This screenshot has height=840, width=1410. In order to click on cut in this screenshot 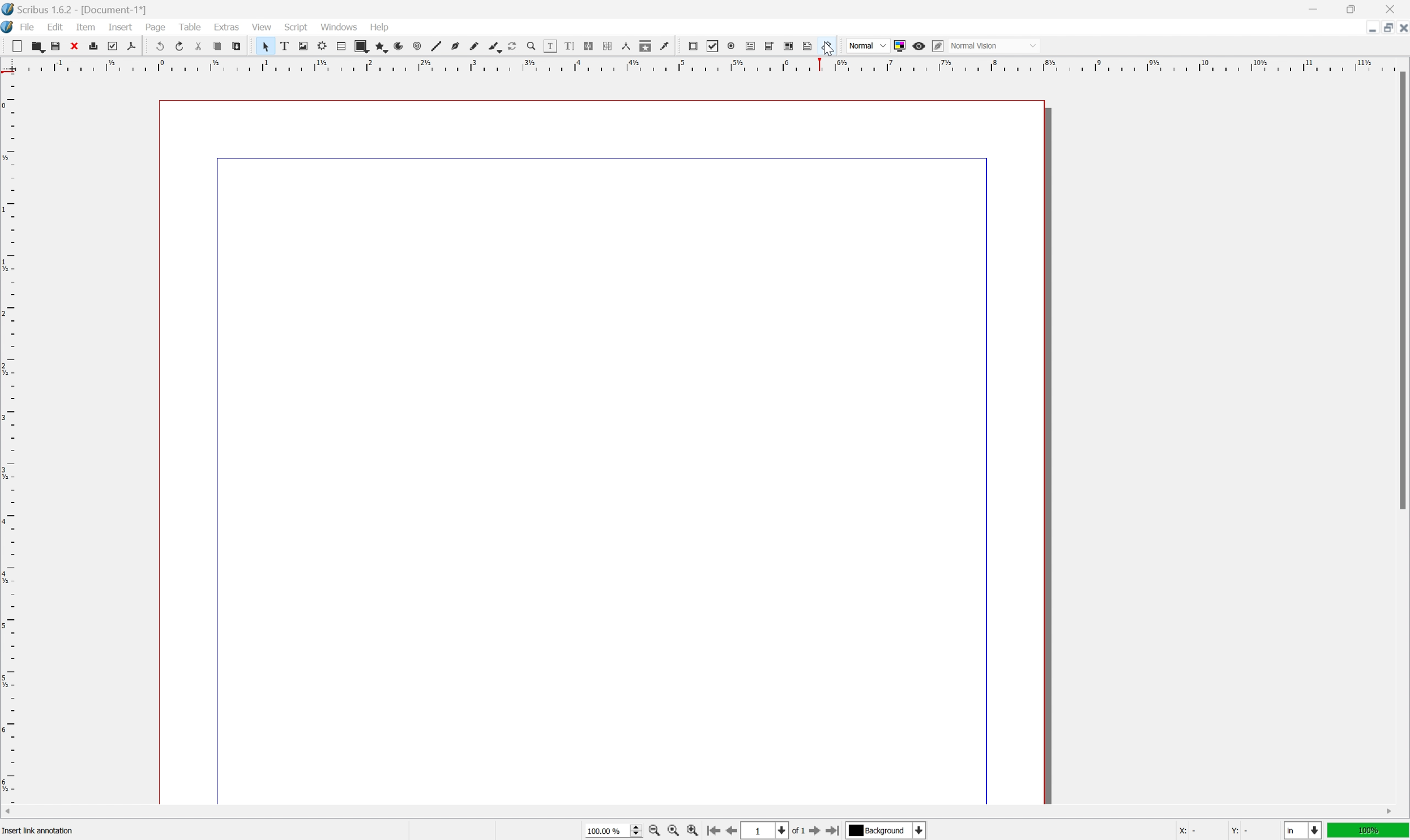, I will do `click(199, 46)`.